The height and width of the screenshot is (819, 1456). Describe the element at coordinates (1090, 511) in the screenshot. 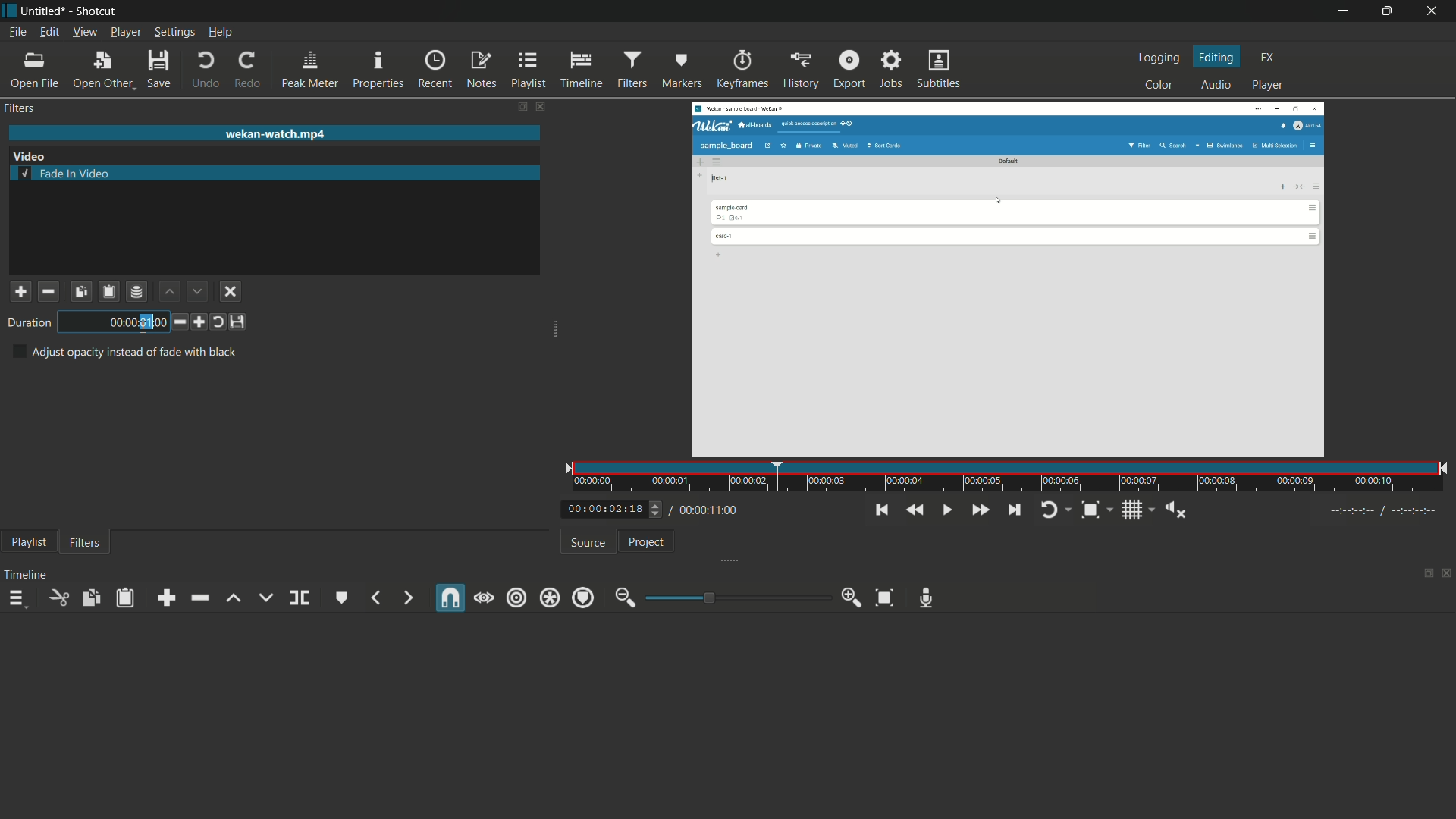

I see `toggle zoom` at that location.